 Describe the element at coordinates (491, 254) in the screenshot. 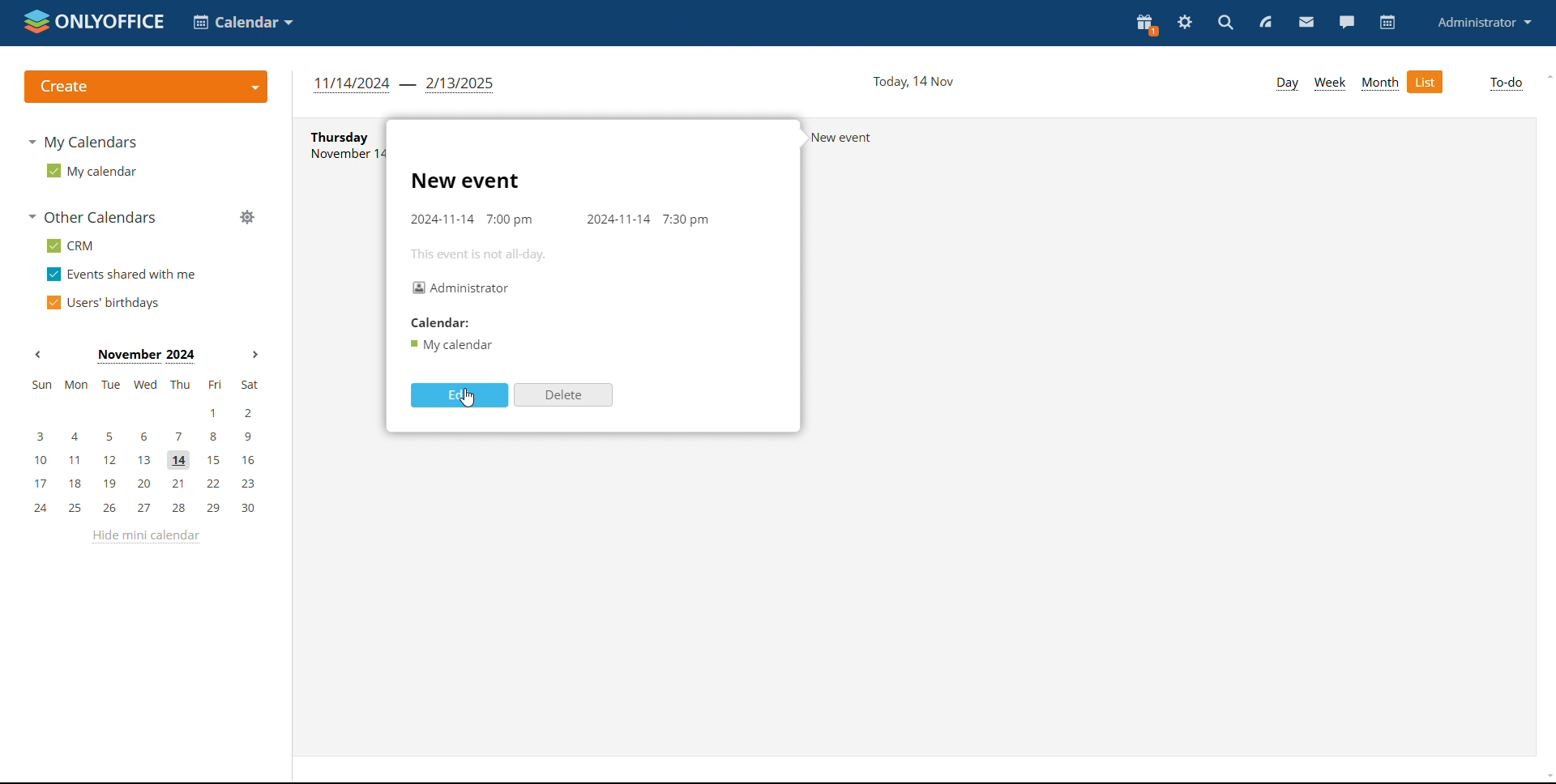

I see `this event is not all-day` at that location.